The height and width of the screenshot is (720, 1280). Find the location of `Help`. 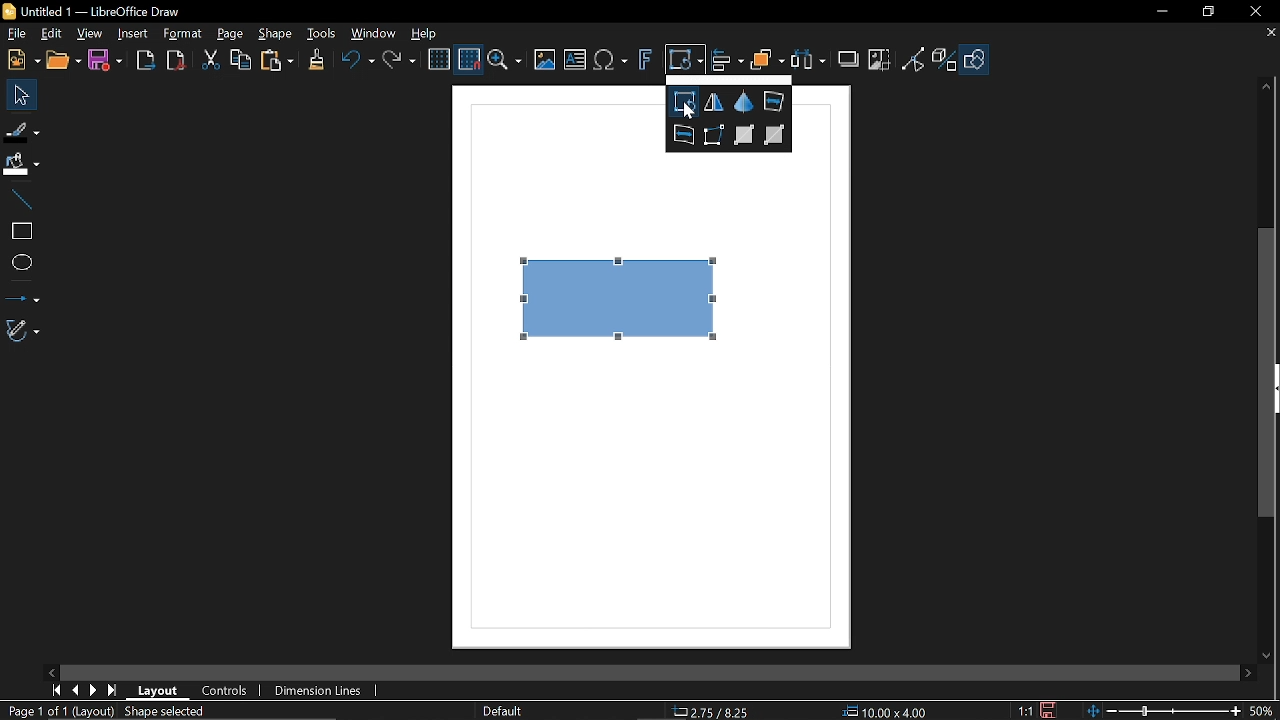

Help is located at coordinates (424, 34).